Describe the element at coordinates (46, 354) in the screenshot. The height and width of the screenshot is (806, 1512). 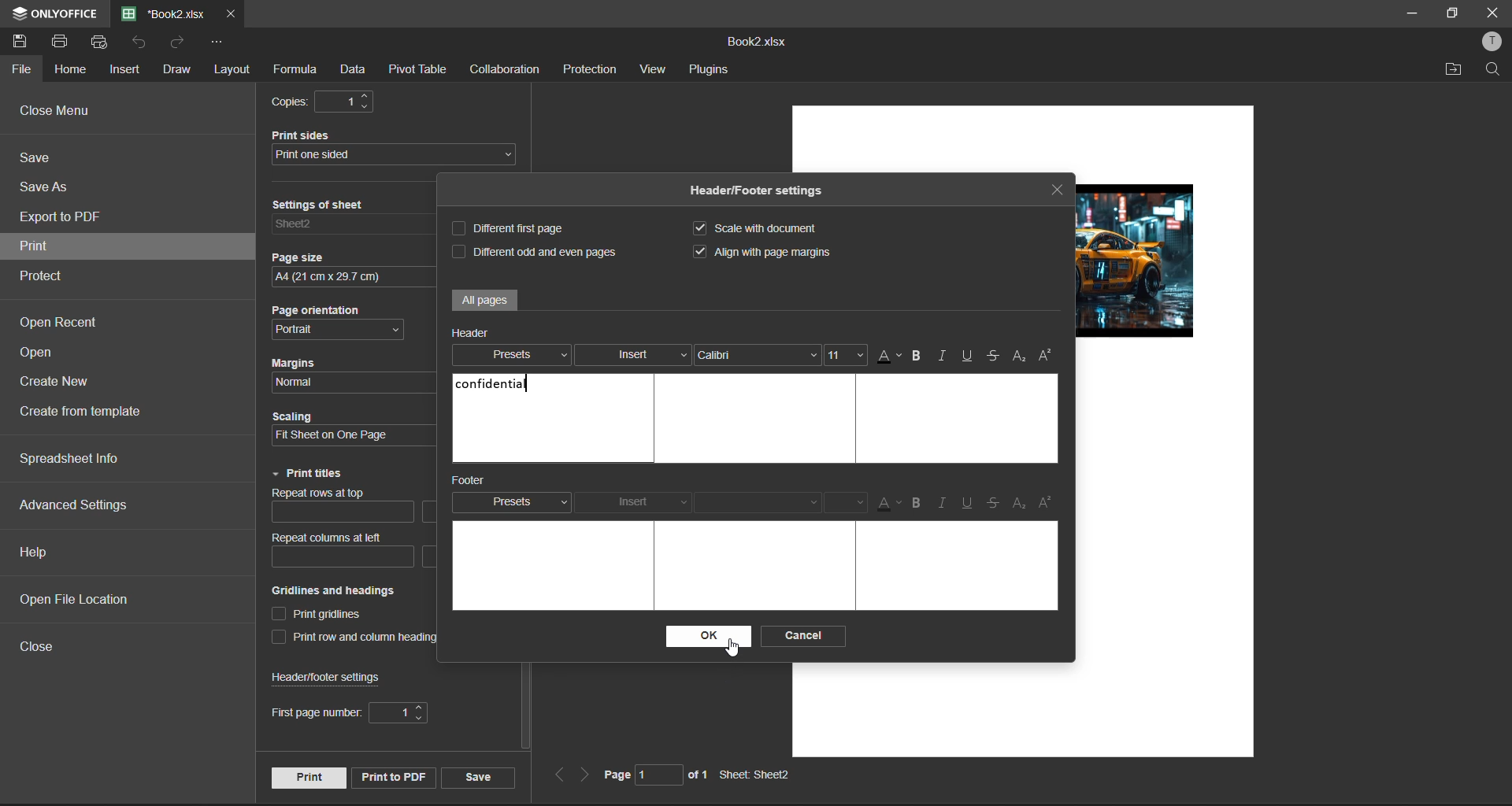
I see `open` at that location.